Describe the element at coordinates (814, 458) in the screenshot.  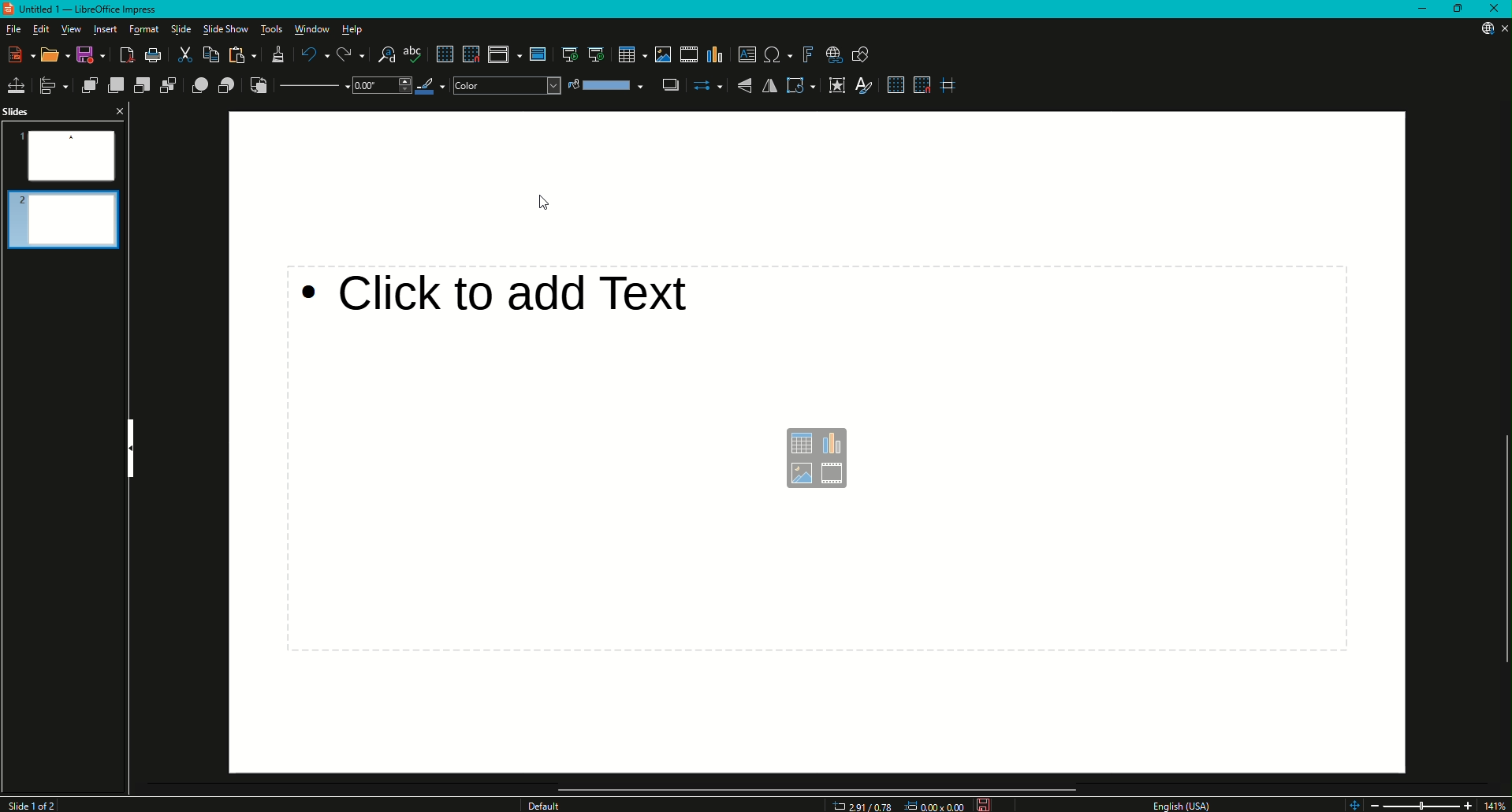
I see `Text box options` at that location.